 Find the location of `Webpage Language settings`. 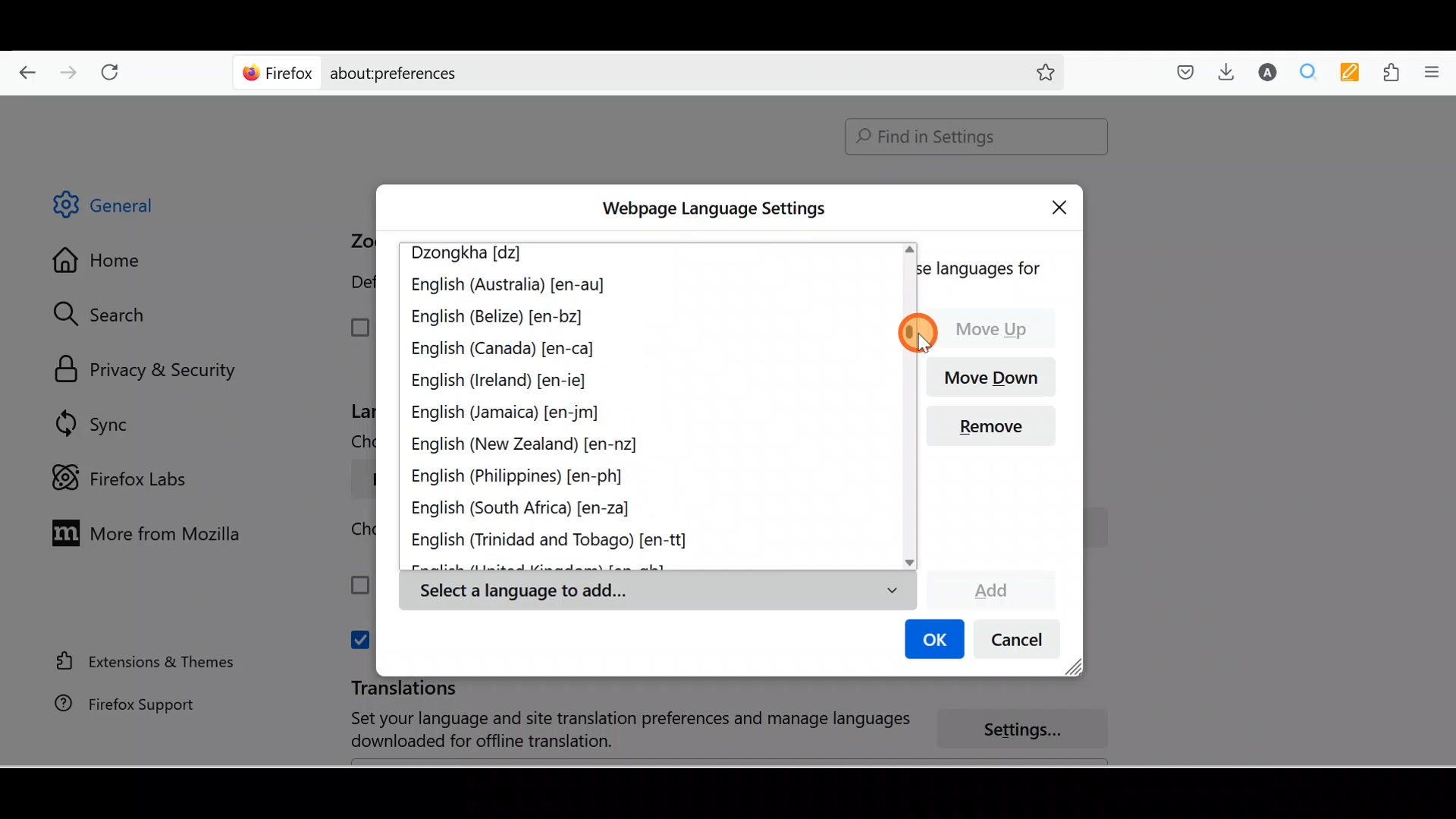

Webpage Language settings is located at coordinates (711, 209).